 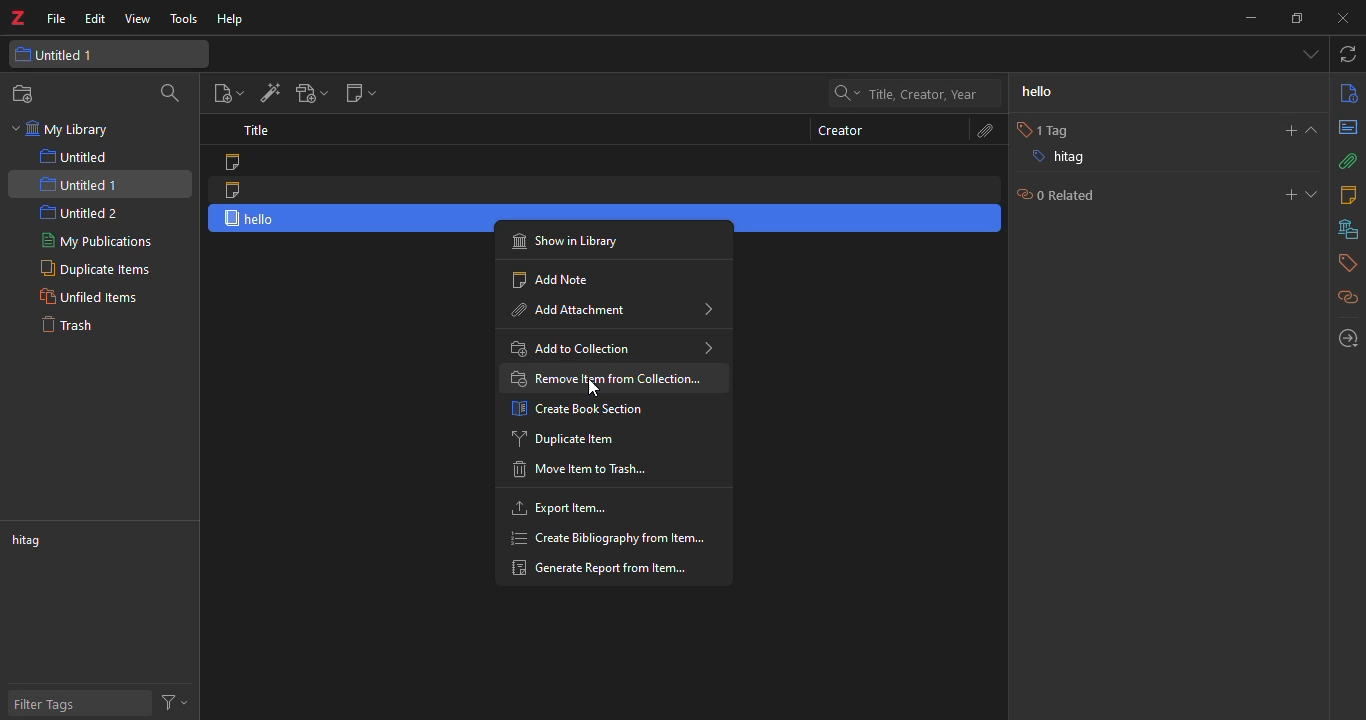 I want to click on show in library, so click(x=573, y=241).